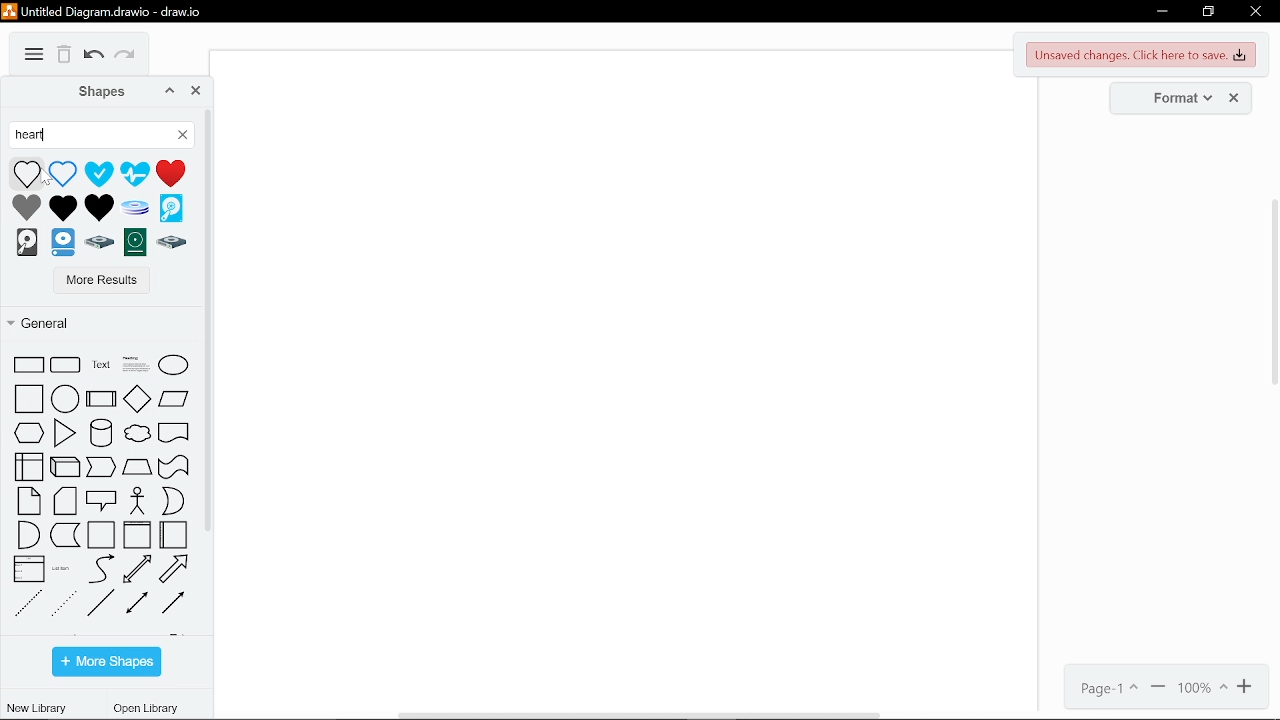  Describe the element at coordinates (176, 602) in the screenshot. I see `directional connector ` at that location.